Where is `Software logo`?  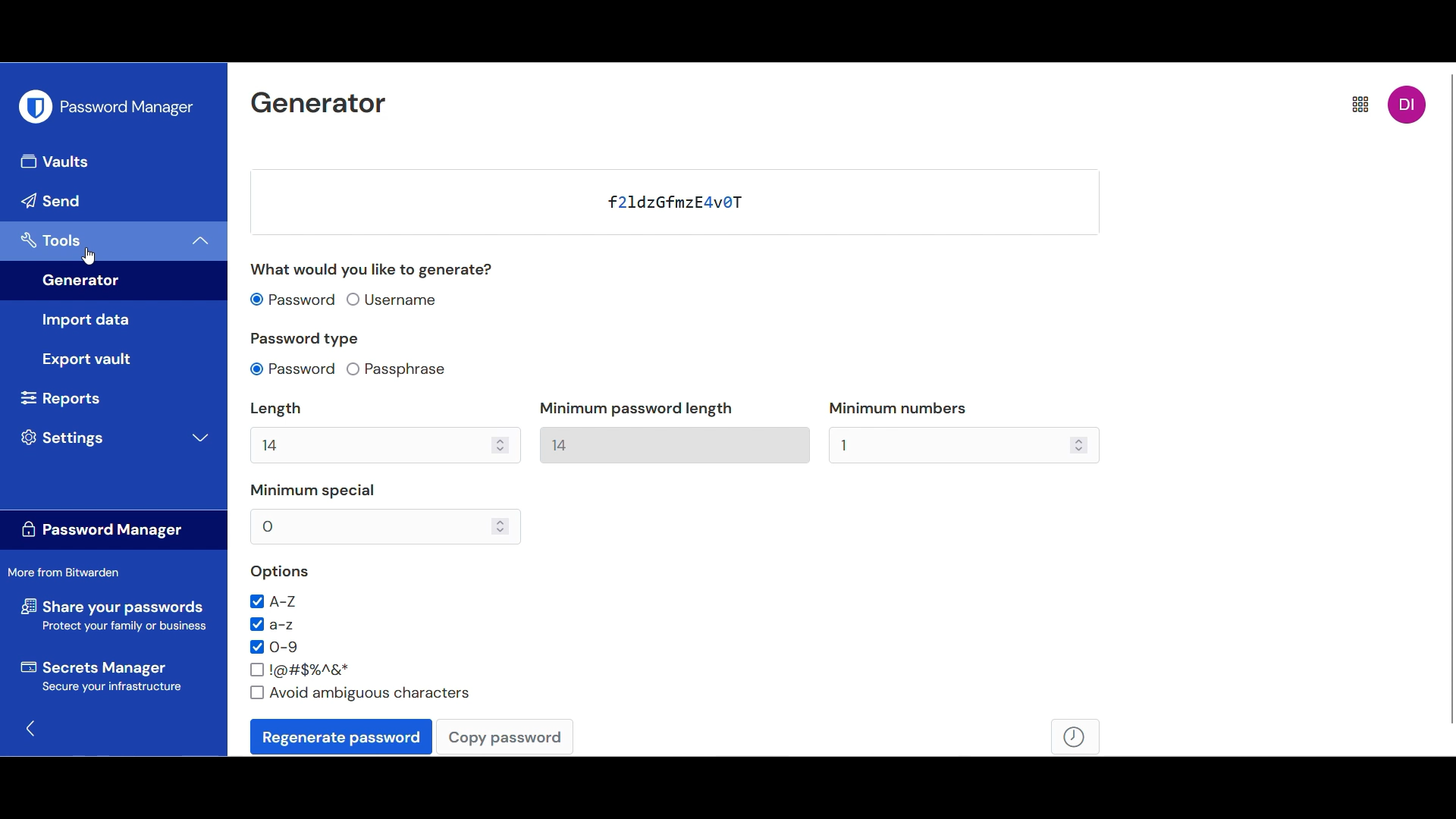
Software logo is located at coordinates (36, 106).